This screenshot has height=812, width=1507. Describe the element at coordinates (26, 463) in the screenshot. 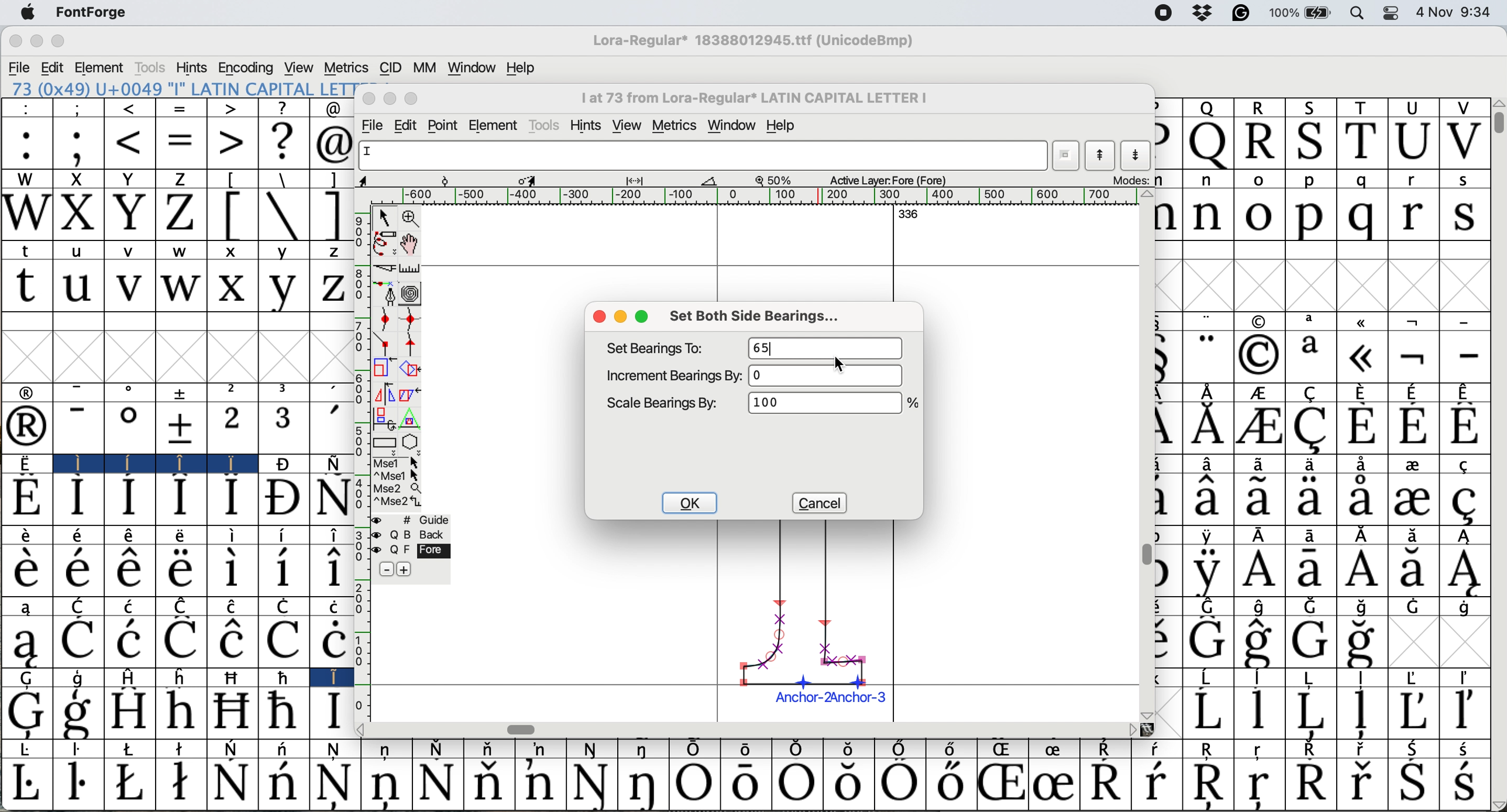

I see `Symbol` at that location.